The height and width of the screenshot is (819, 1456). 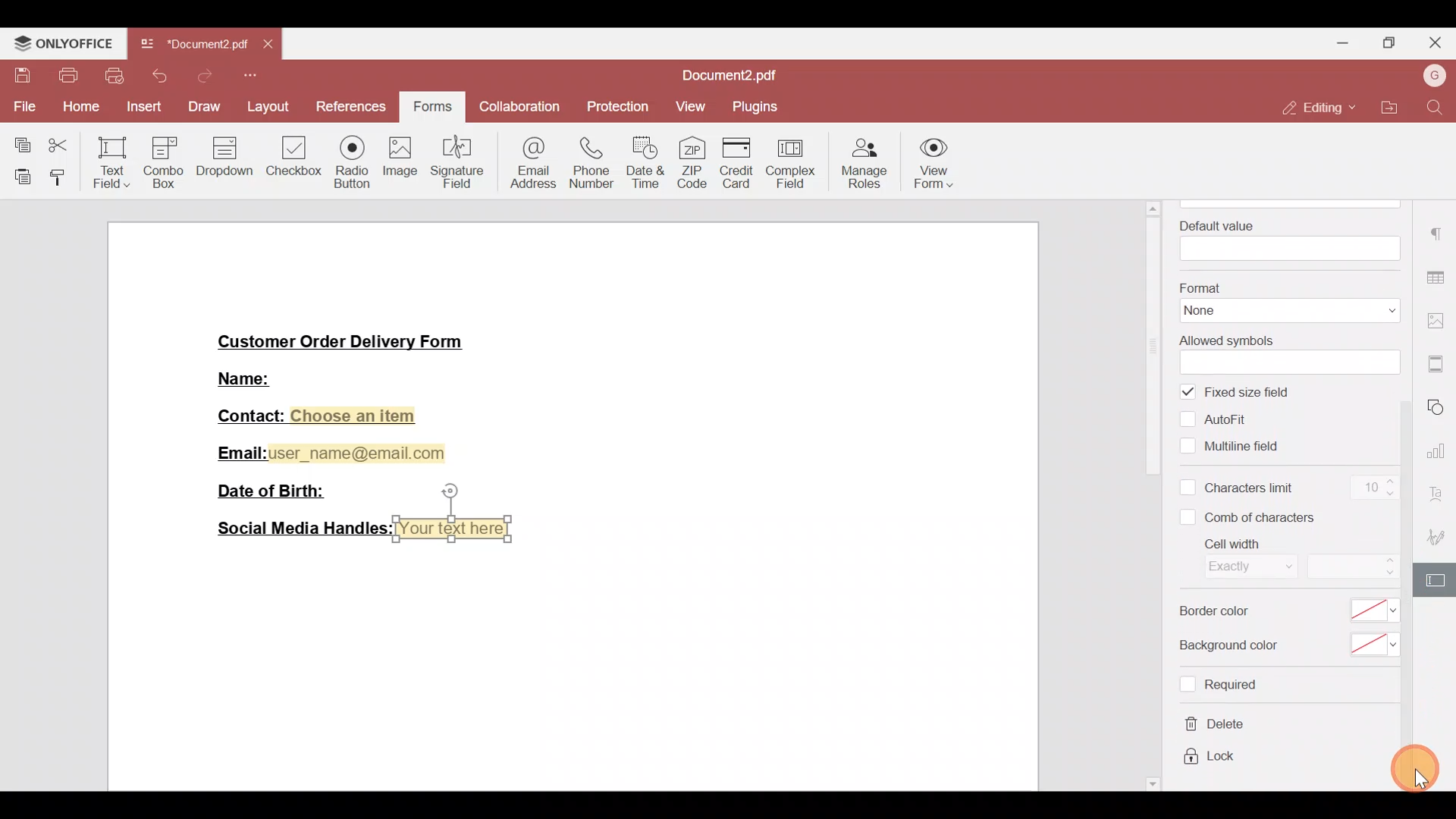 What do you see at coordinates (453, 161) in the screenshot?
I see `Signature field` at bounding box center [453, 161].